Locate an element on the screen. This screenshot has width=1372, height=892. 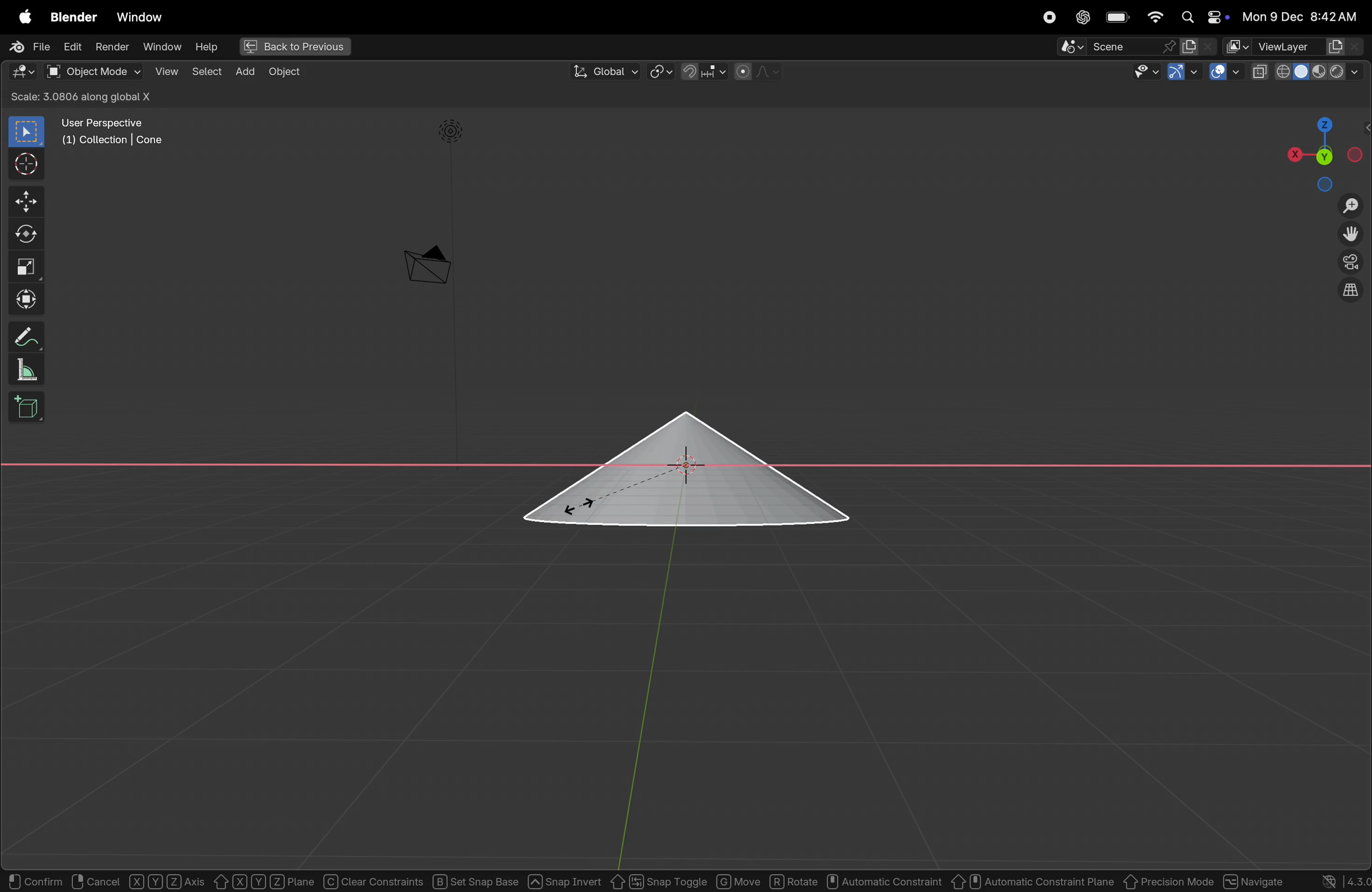
rotate is located at coordinates (794, 880).